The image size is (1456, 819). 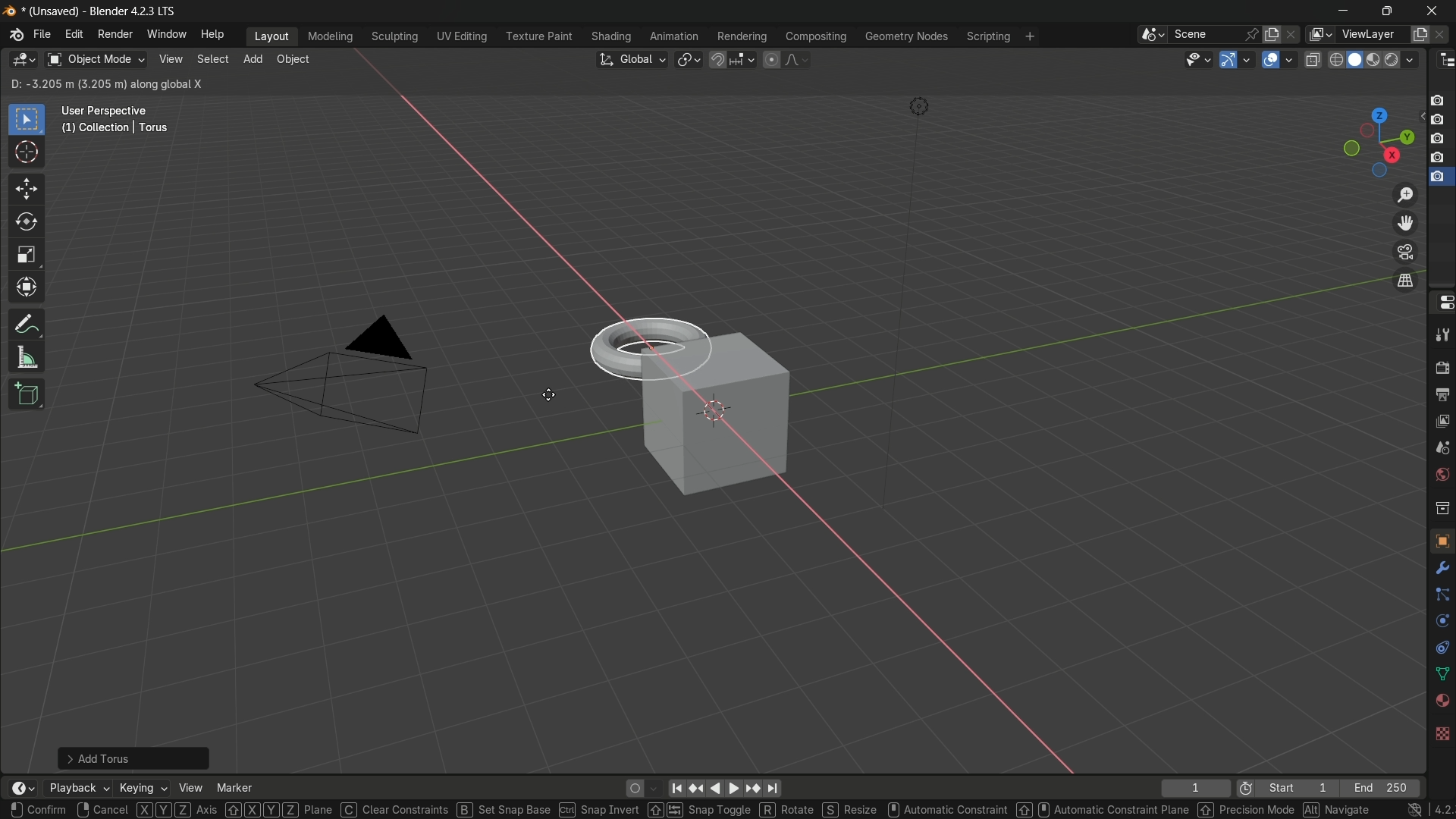 What do you see at coordinates (97, 12) in the screenshot?
I see `(Unsaved) - Blender 4.2.3 LTS` at bounding box center [97, 12].